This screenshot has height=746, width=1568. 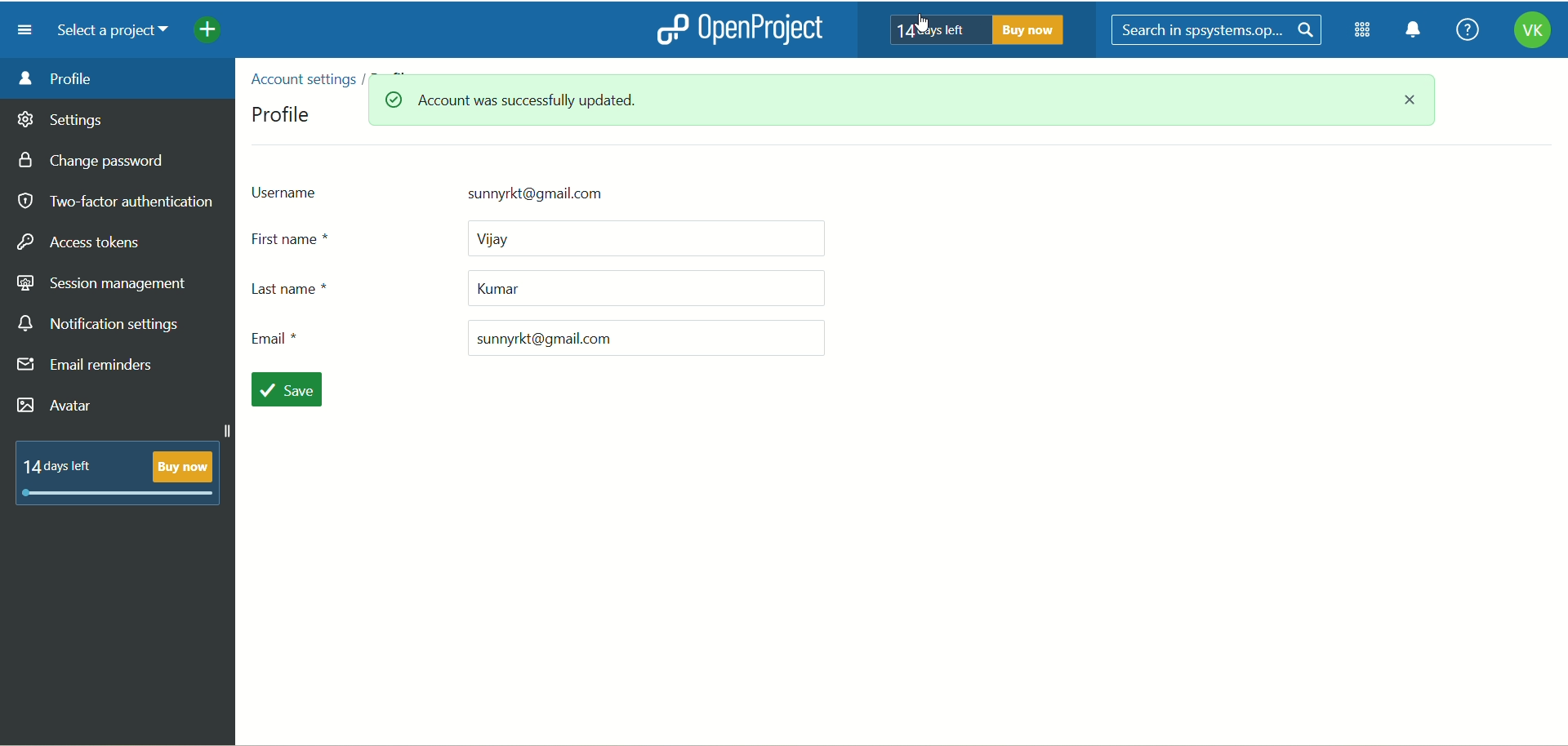 What do you see at coordinates (465, 102) in the screenshot?
I see `account was successfully updated` at bounding box center [465, 102].